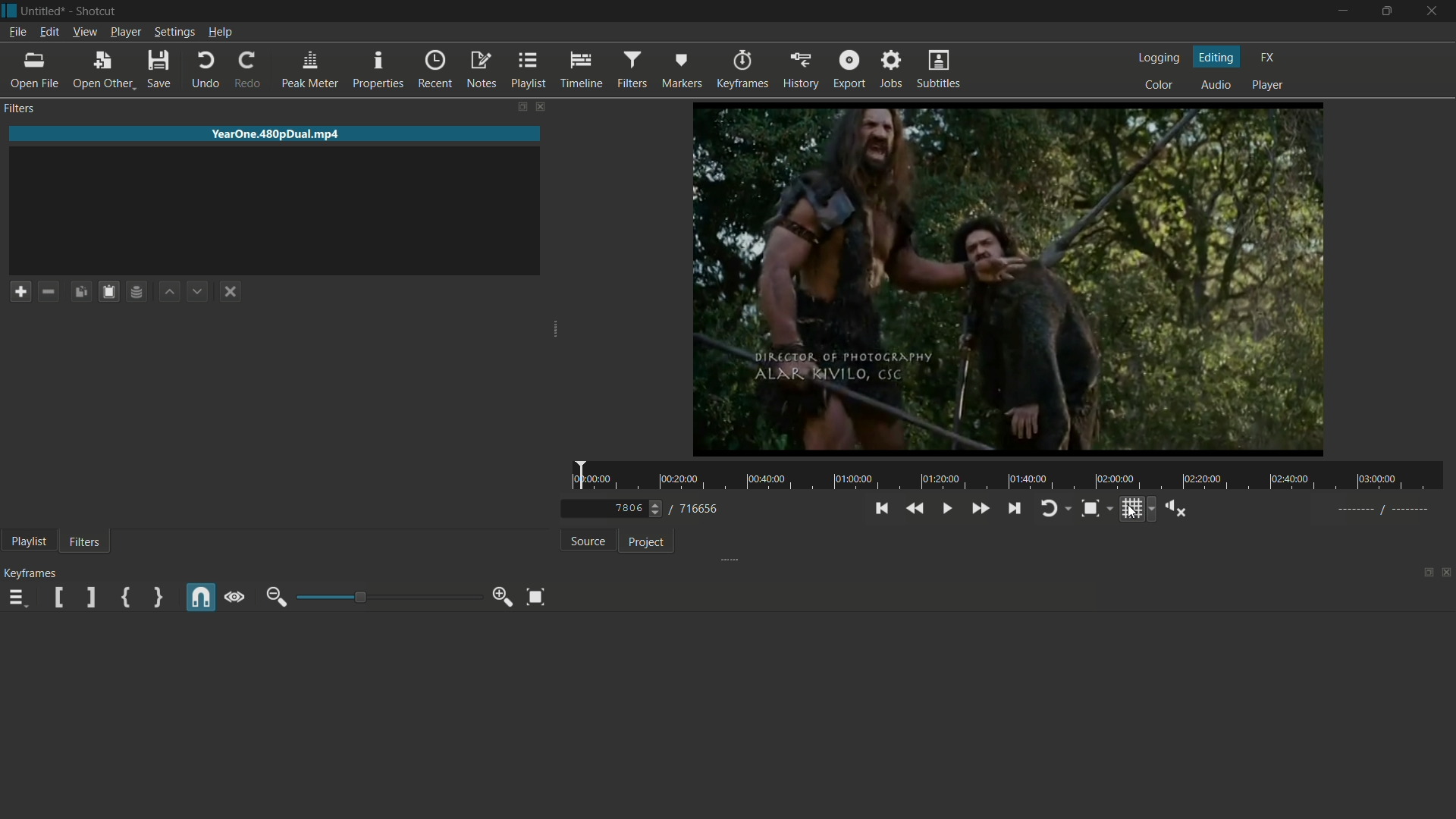  What do you see at coordinates (17, 600) in the screenshot?
I see `keyframes menu` at bounding box center [17, 600].